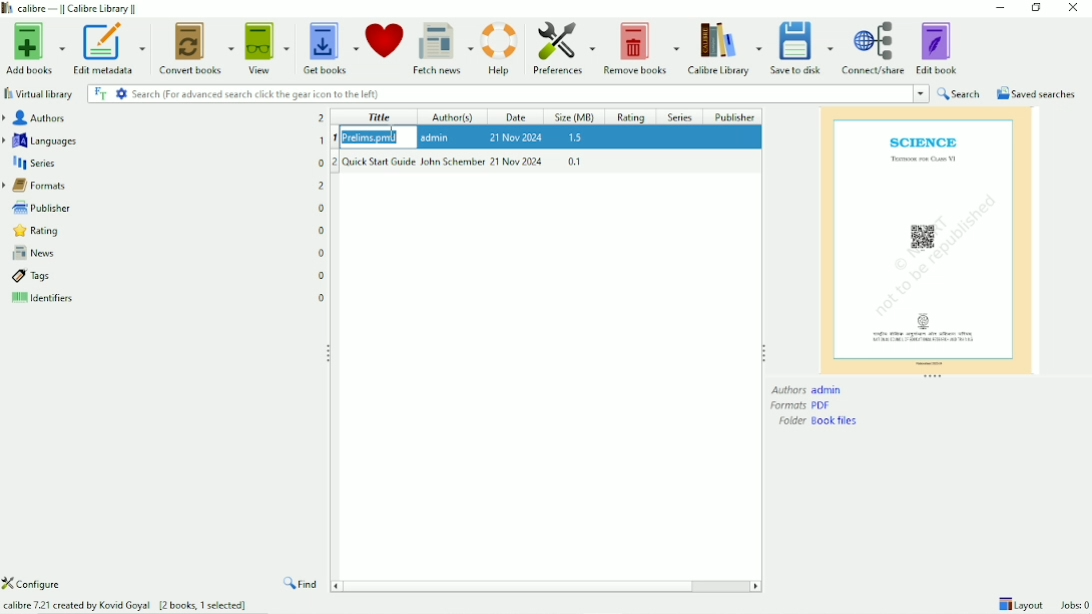 The width and height of the screenshot is (1092, 614). What do you see at coordinates (322, 140) in the screenshot?
I see `1` at bounding box center [322, 140].